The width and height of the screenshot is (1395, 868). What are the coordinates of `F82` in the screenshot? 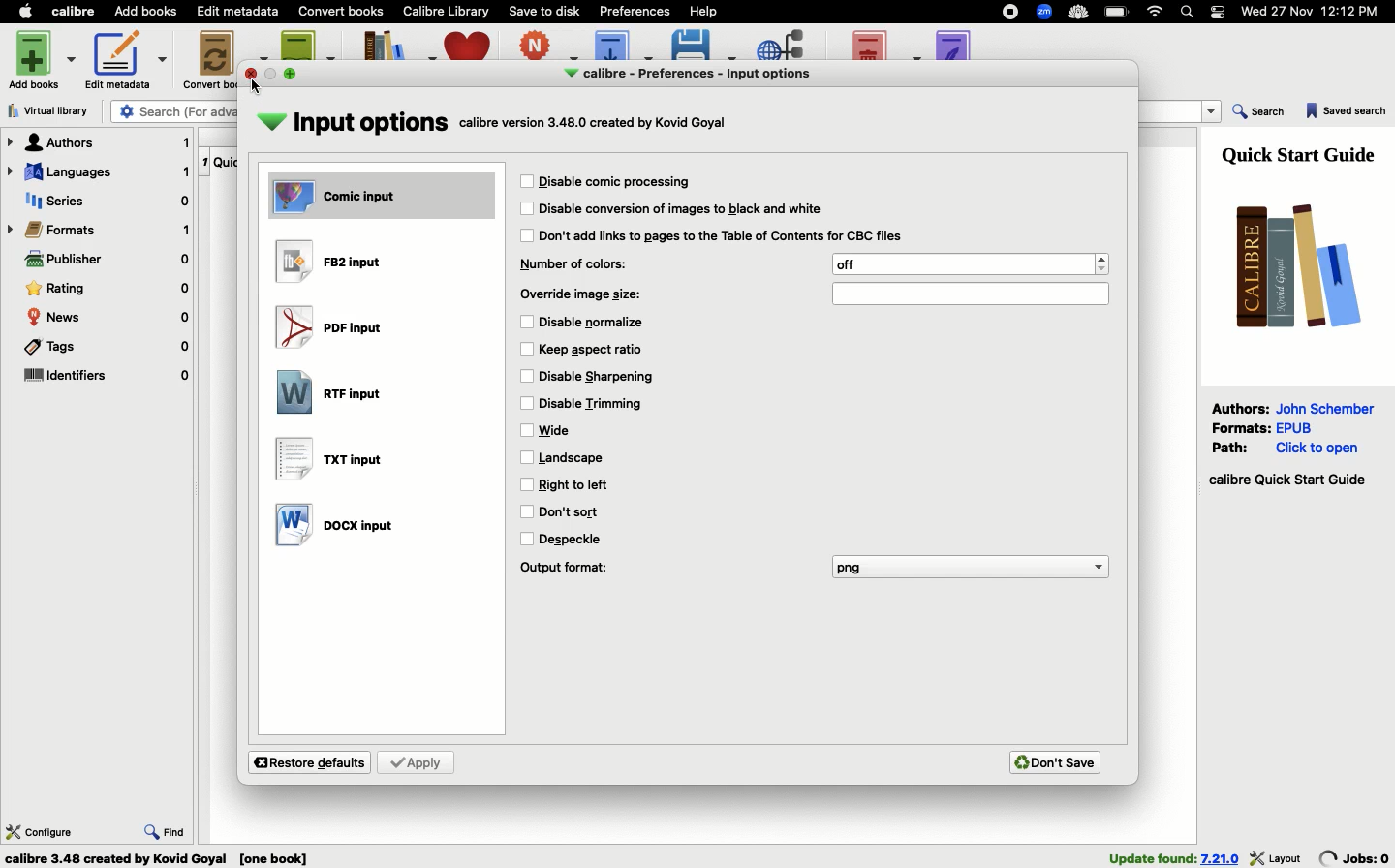 It's located at (333, 262).